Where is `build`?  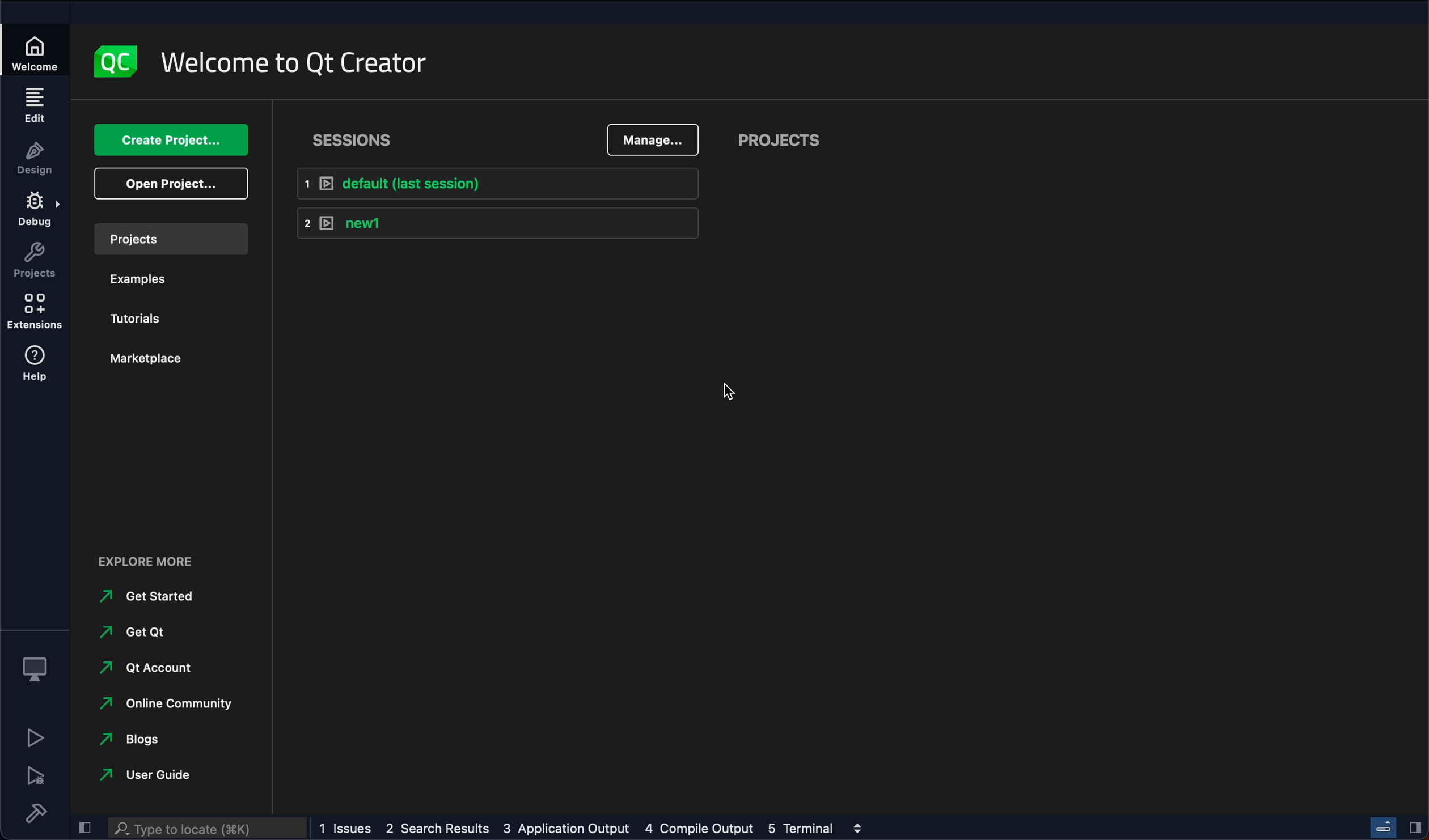
build is located at coordinates (32, 812).